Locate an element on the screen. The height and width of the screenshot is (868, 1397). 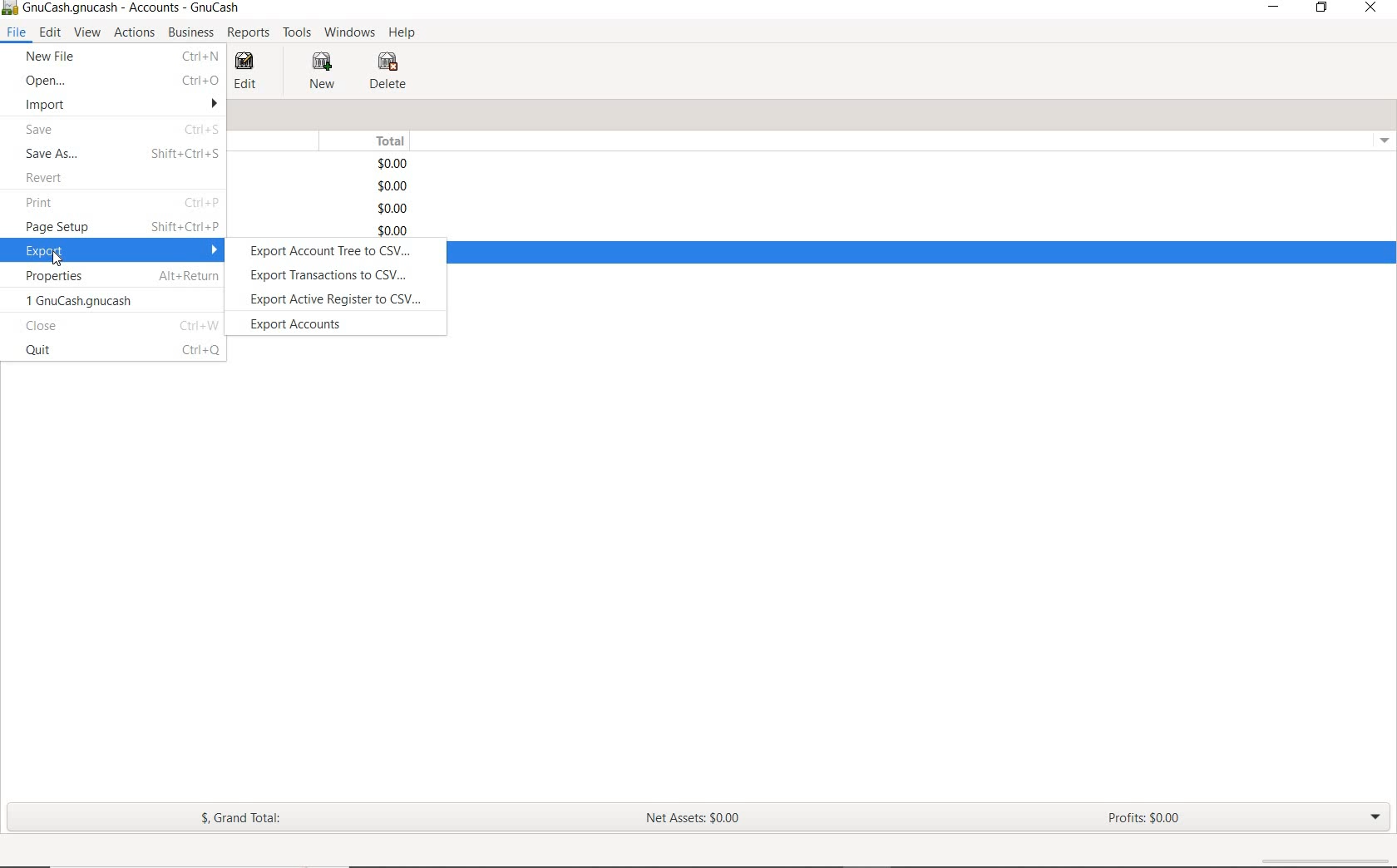
$0.00 is located at coordinates (392, 162).